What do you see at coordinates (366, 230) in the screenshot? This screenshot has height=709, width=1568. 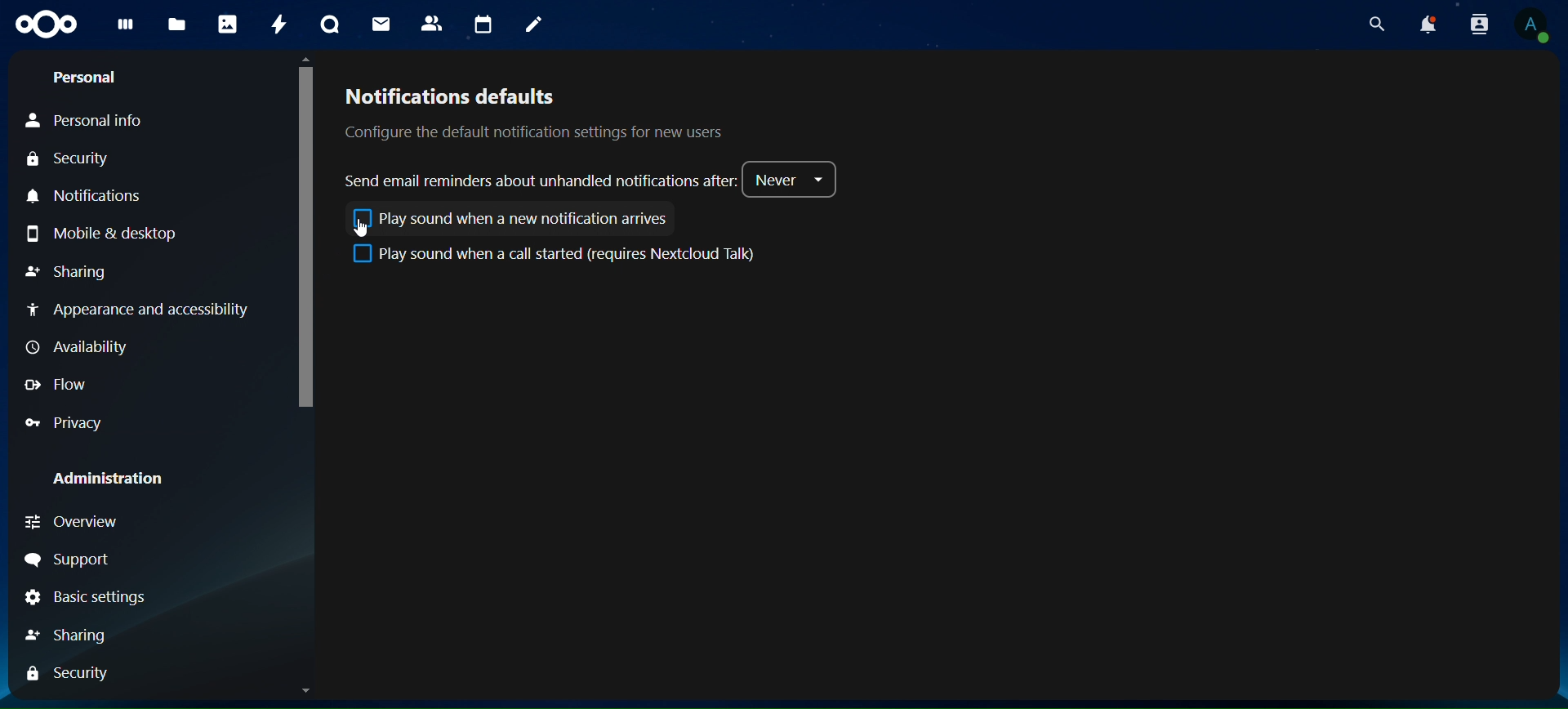 I see `Cursor` at bounding box center [366, 230].